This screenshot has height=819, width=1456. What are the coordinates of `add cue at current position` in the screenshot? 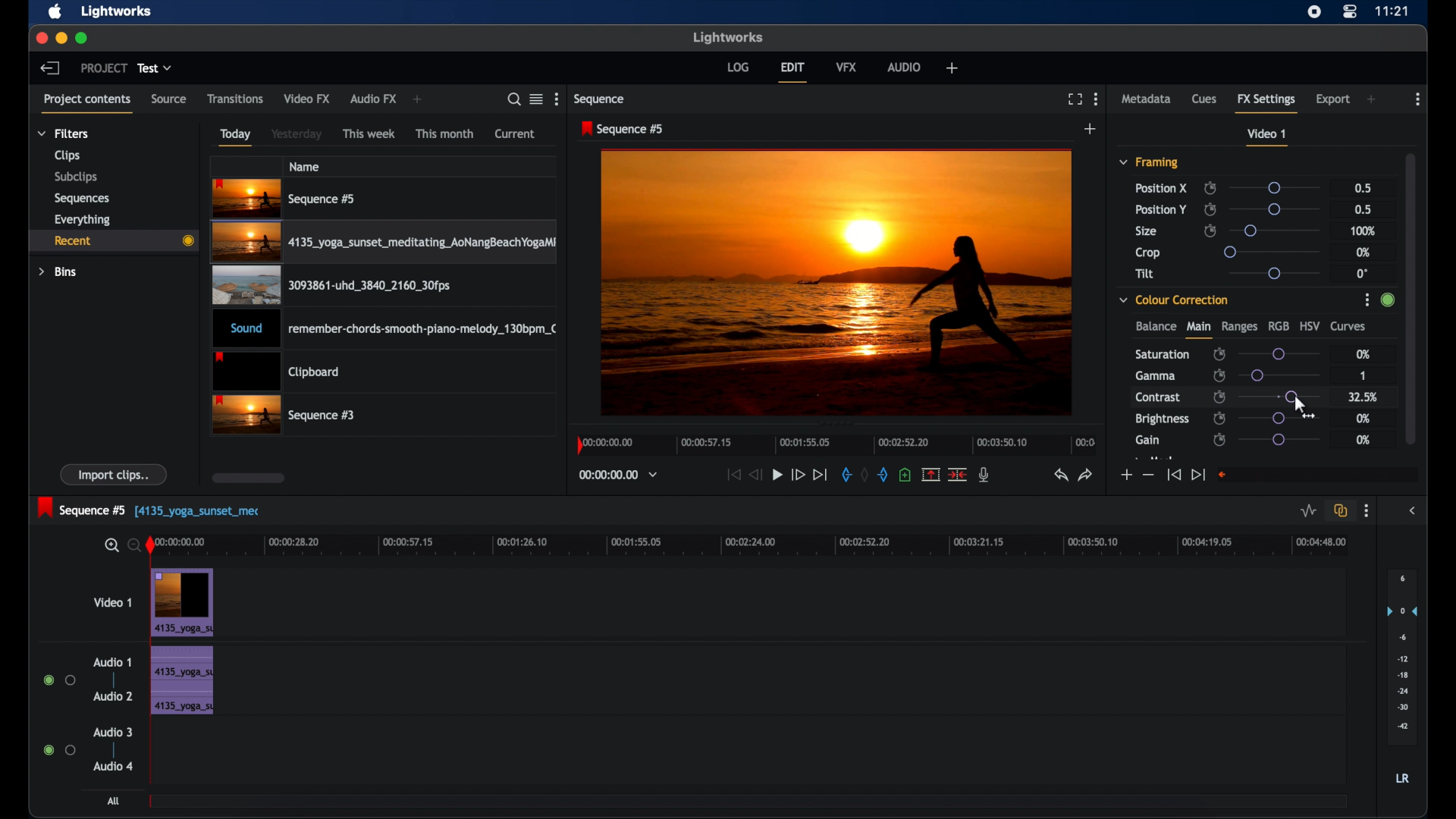 It's located at (905, 475).